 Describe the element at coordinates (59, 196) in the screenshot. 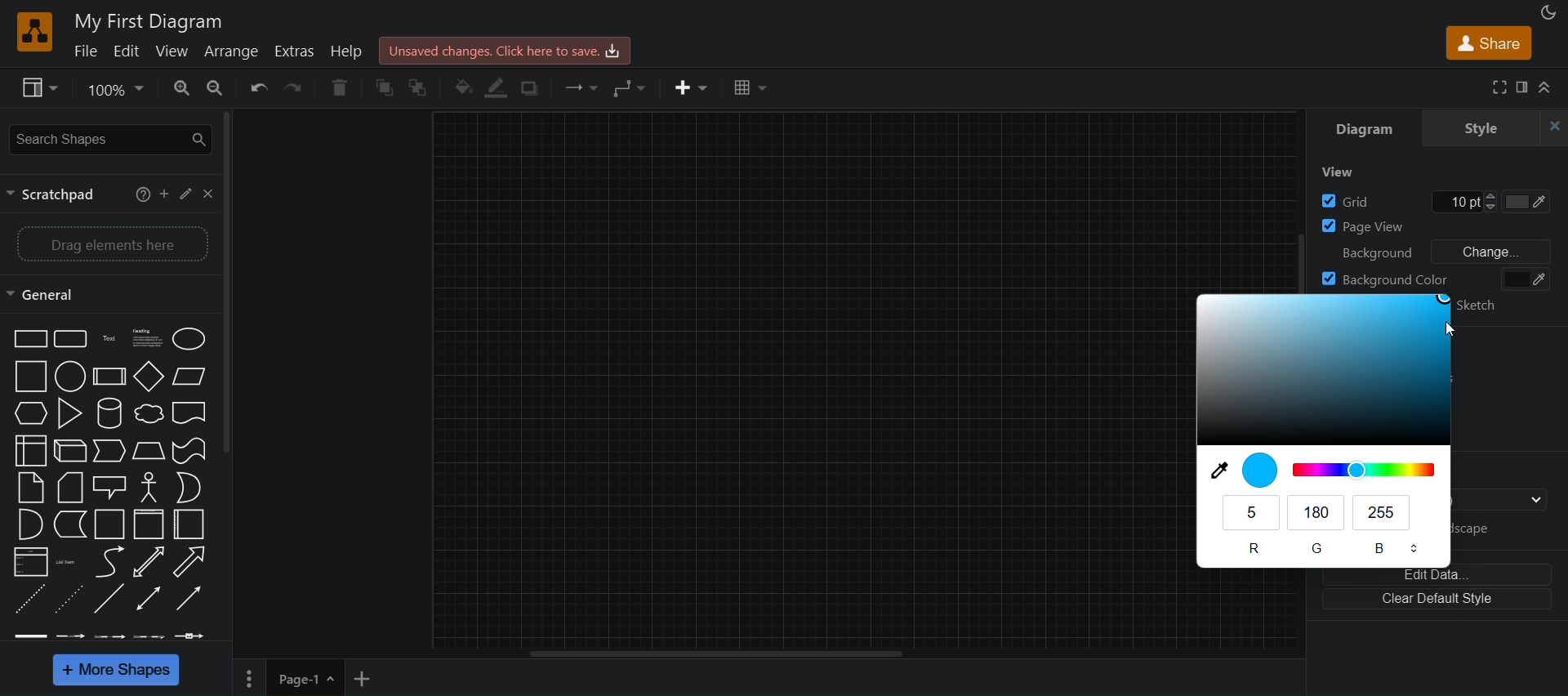

I see `scractpad` at that location.